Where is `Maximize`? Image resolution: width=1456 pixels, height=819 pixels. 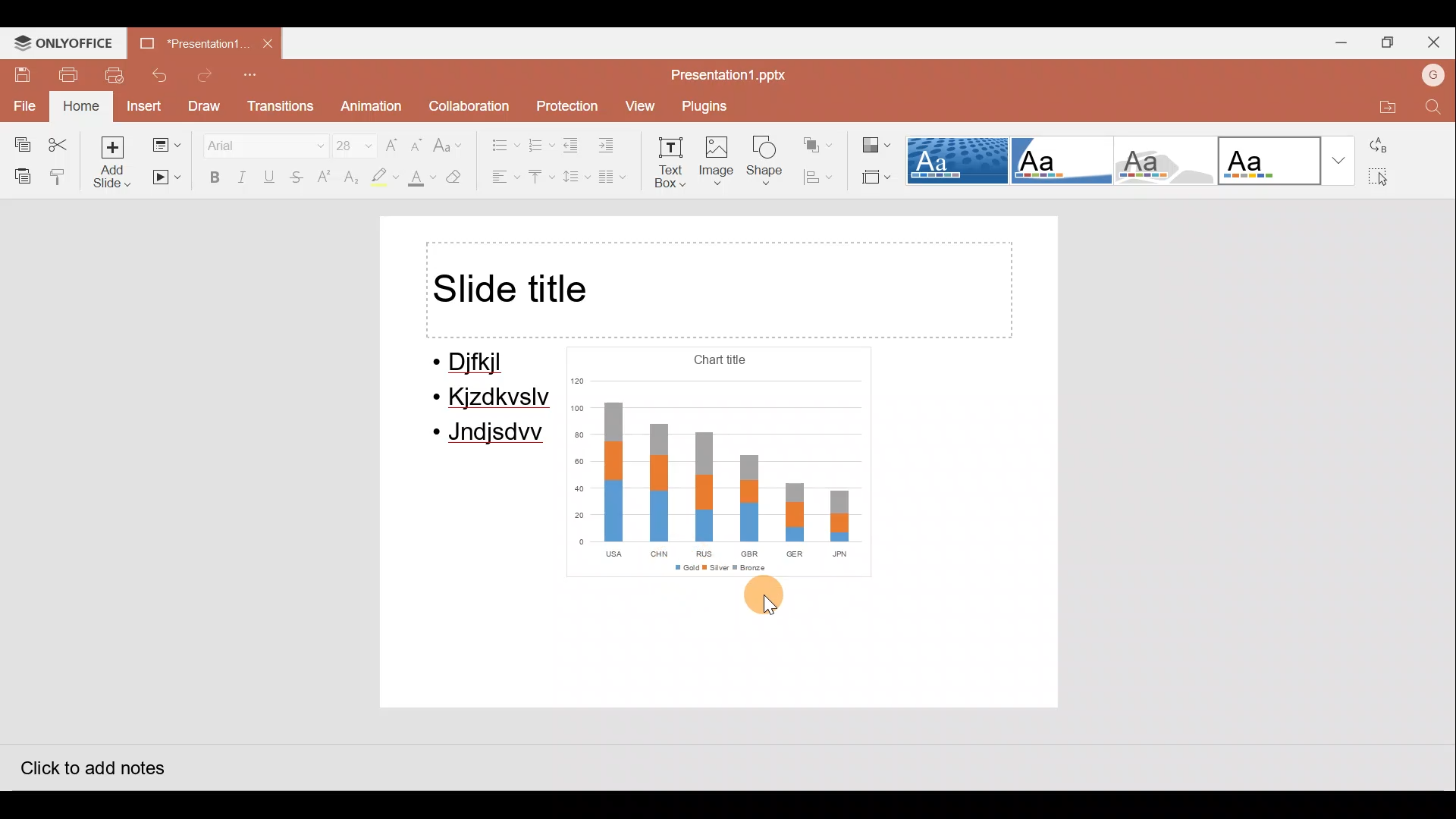
Maximize is located at coordinates (1388, 45).